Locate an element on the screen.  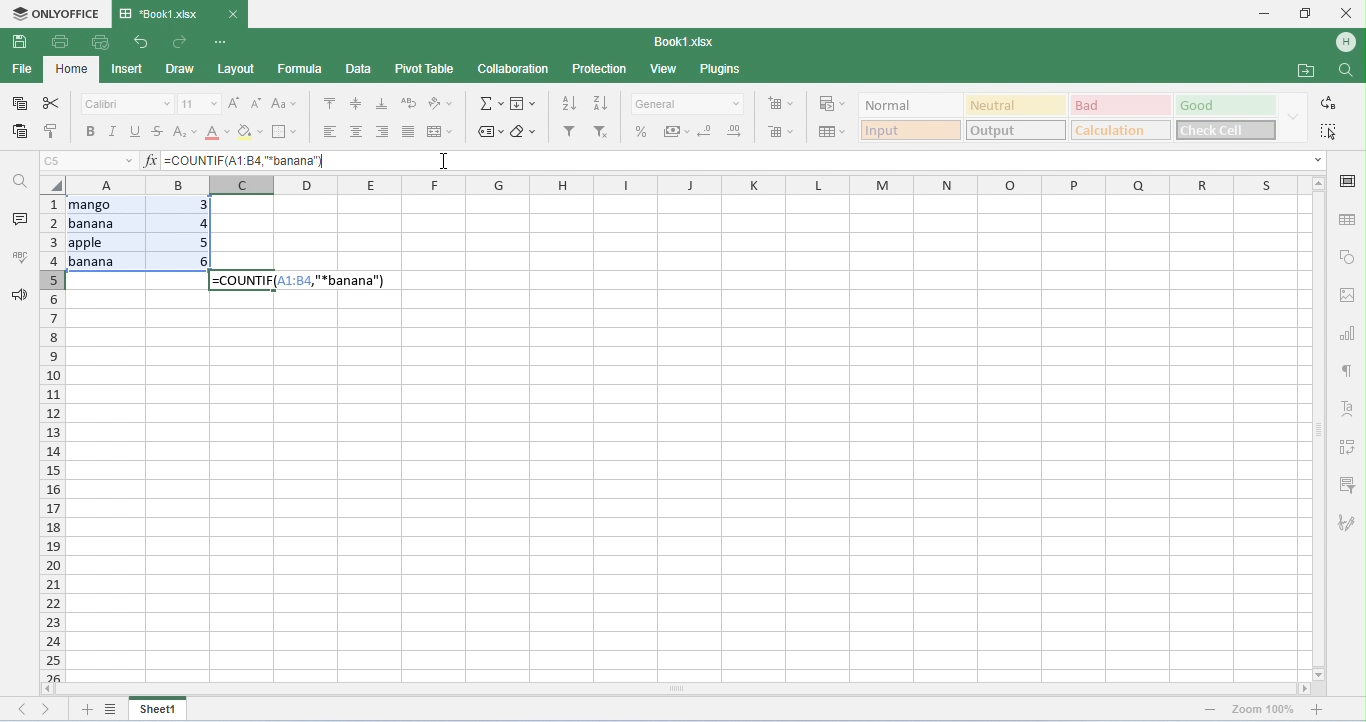
justified is located at coordinates (409, 132).